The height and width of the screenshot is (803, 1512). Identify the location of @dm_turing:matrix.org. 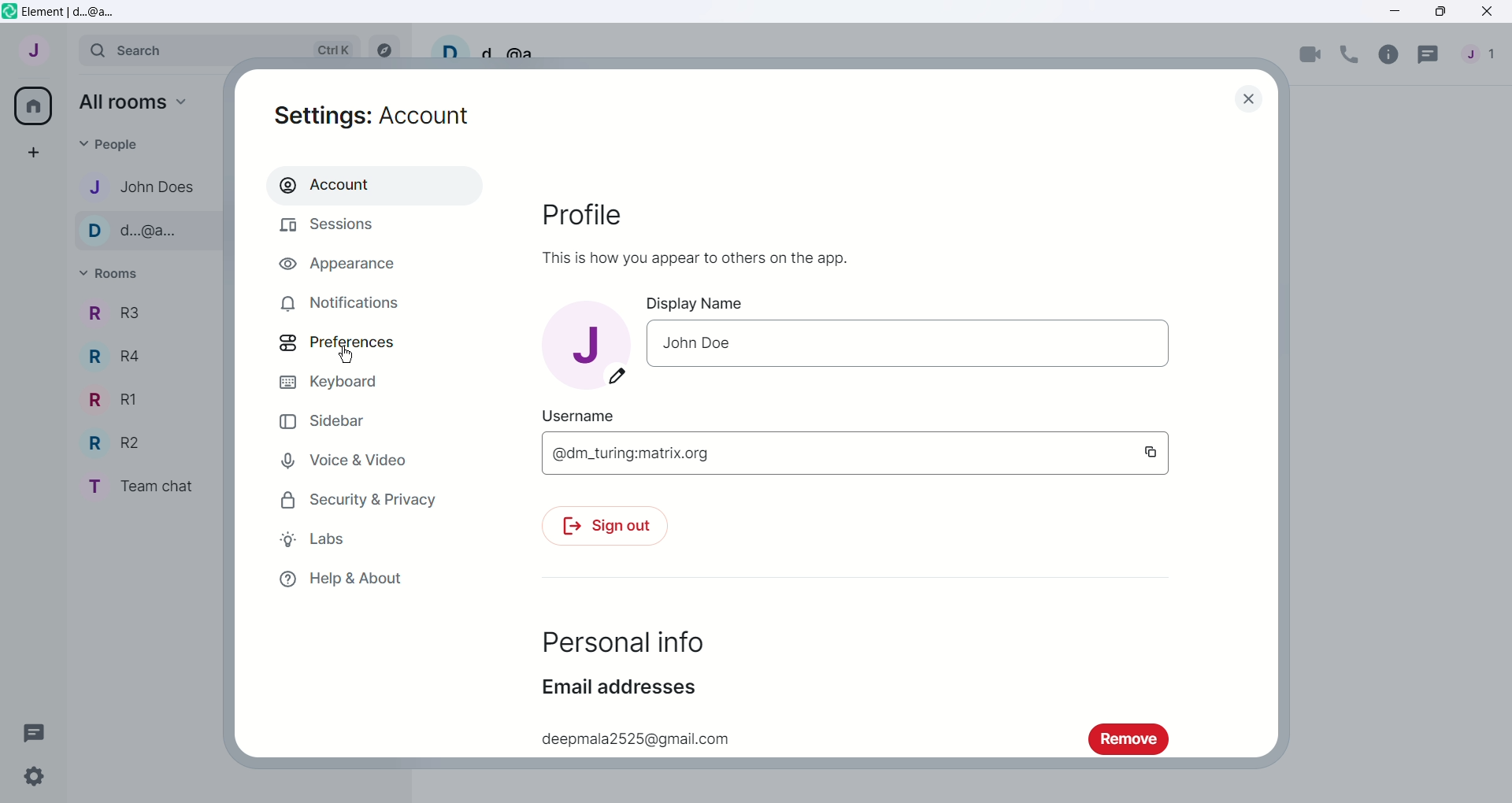
(630, 453).